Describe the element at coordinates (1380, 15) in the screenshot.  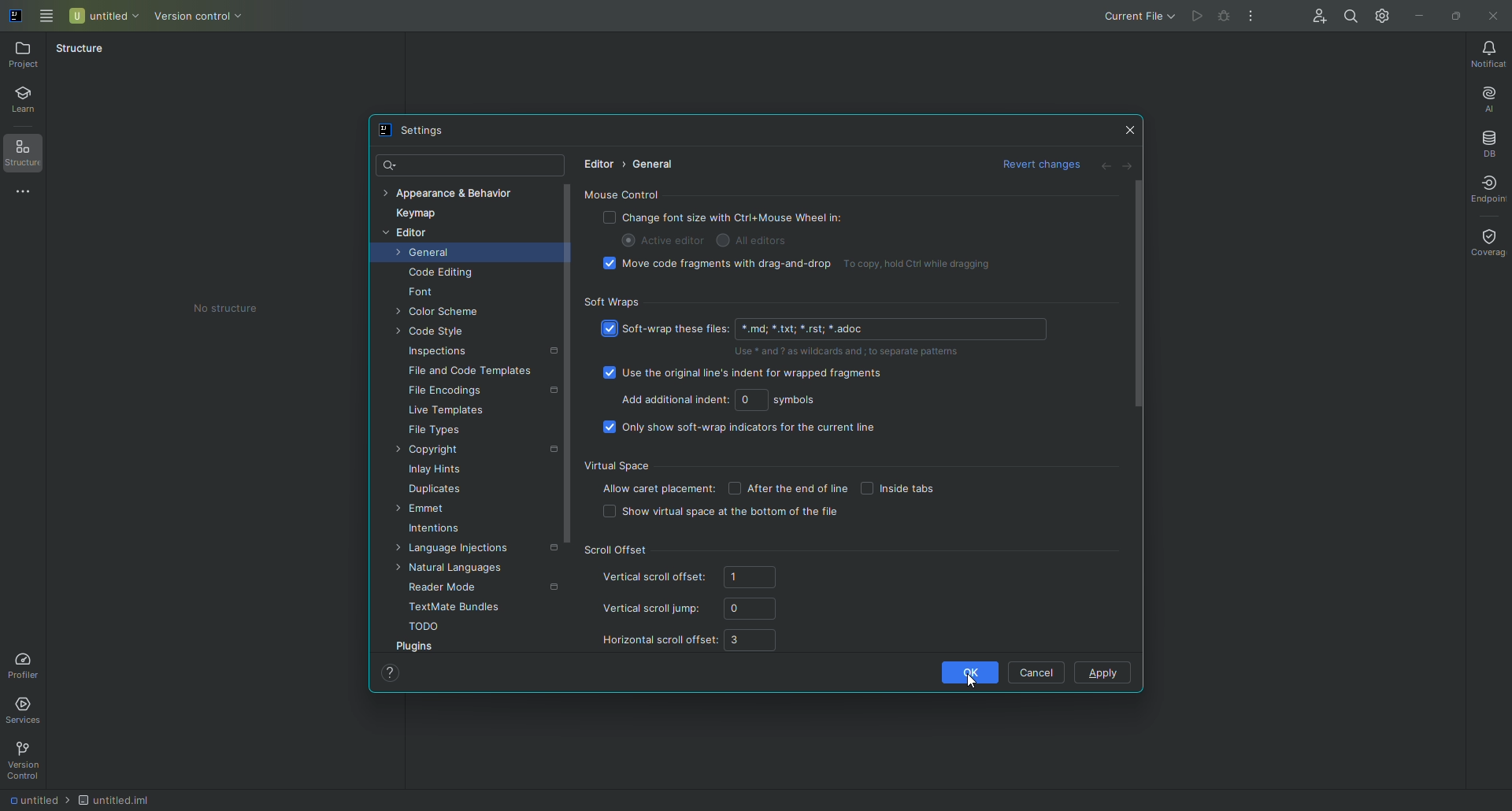
I see `Updates and Settings` at that location.